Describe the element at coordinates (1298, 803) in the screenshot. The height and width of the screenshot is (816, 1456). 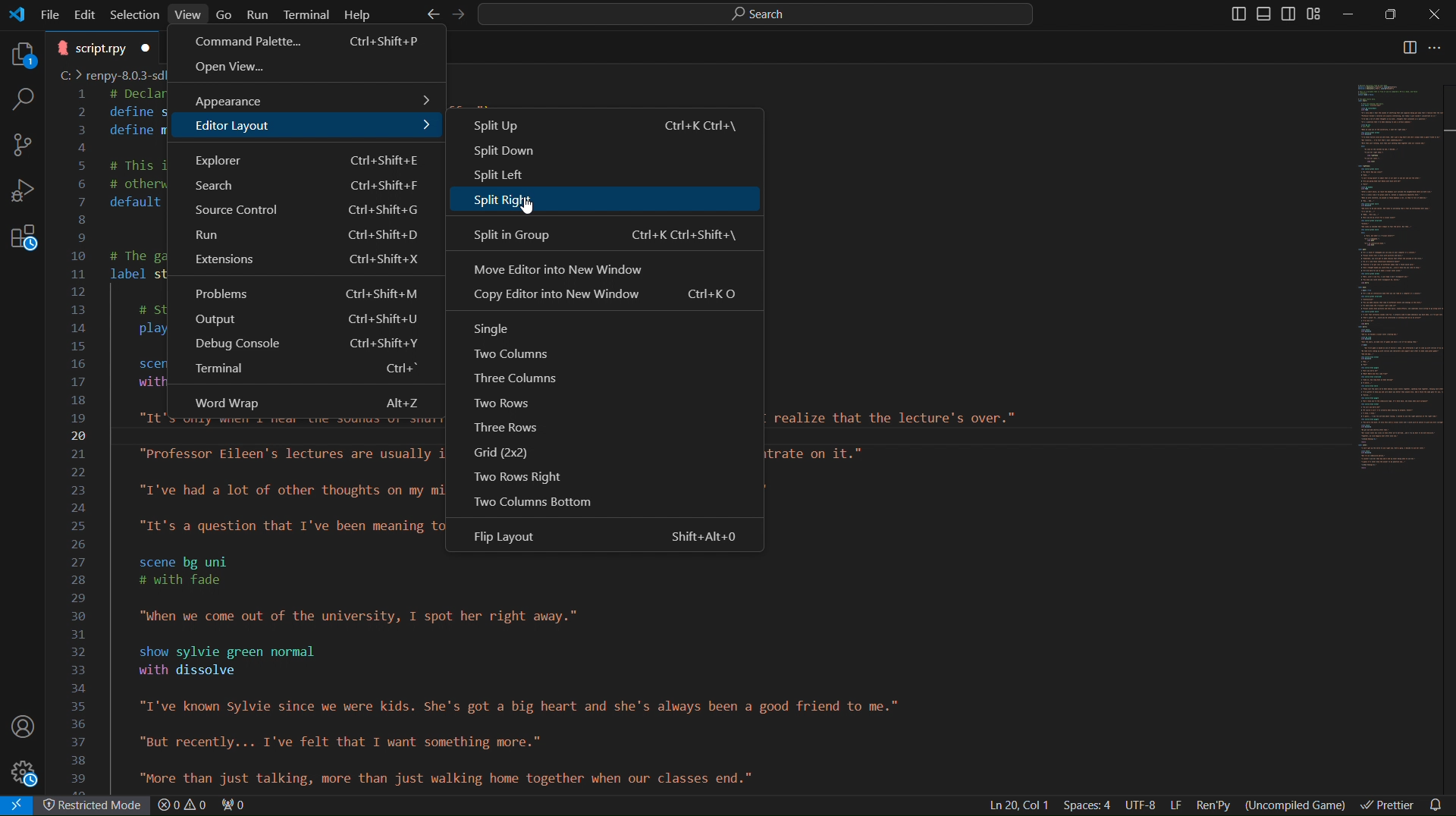
I see `(Uncompiled game)` at that location.